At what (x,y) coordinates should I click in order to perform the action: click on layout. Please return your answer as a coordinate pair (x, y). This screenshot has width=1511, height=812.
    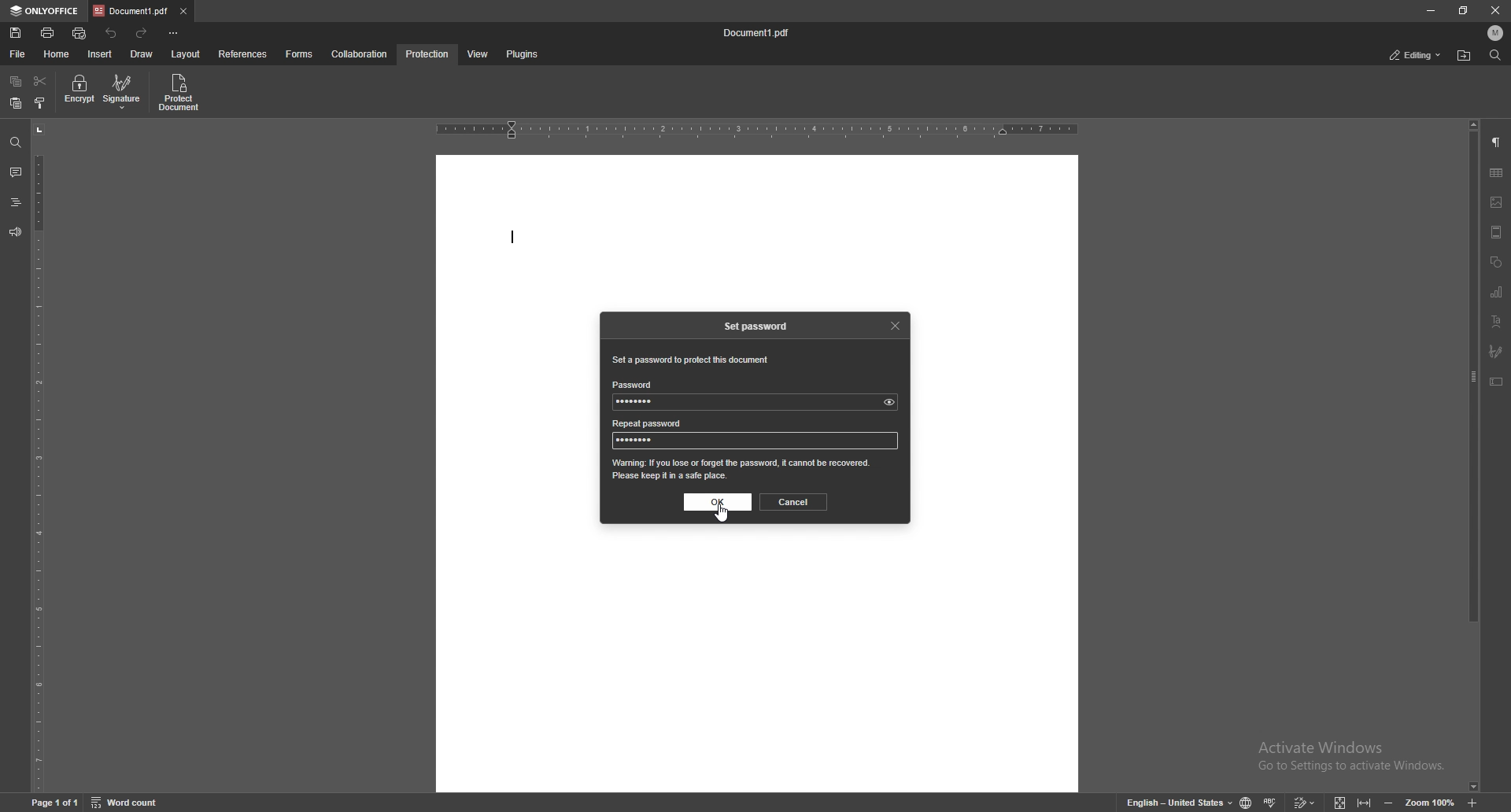
    Looking at the image, I should click on (188, 54).